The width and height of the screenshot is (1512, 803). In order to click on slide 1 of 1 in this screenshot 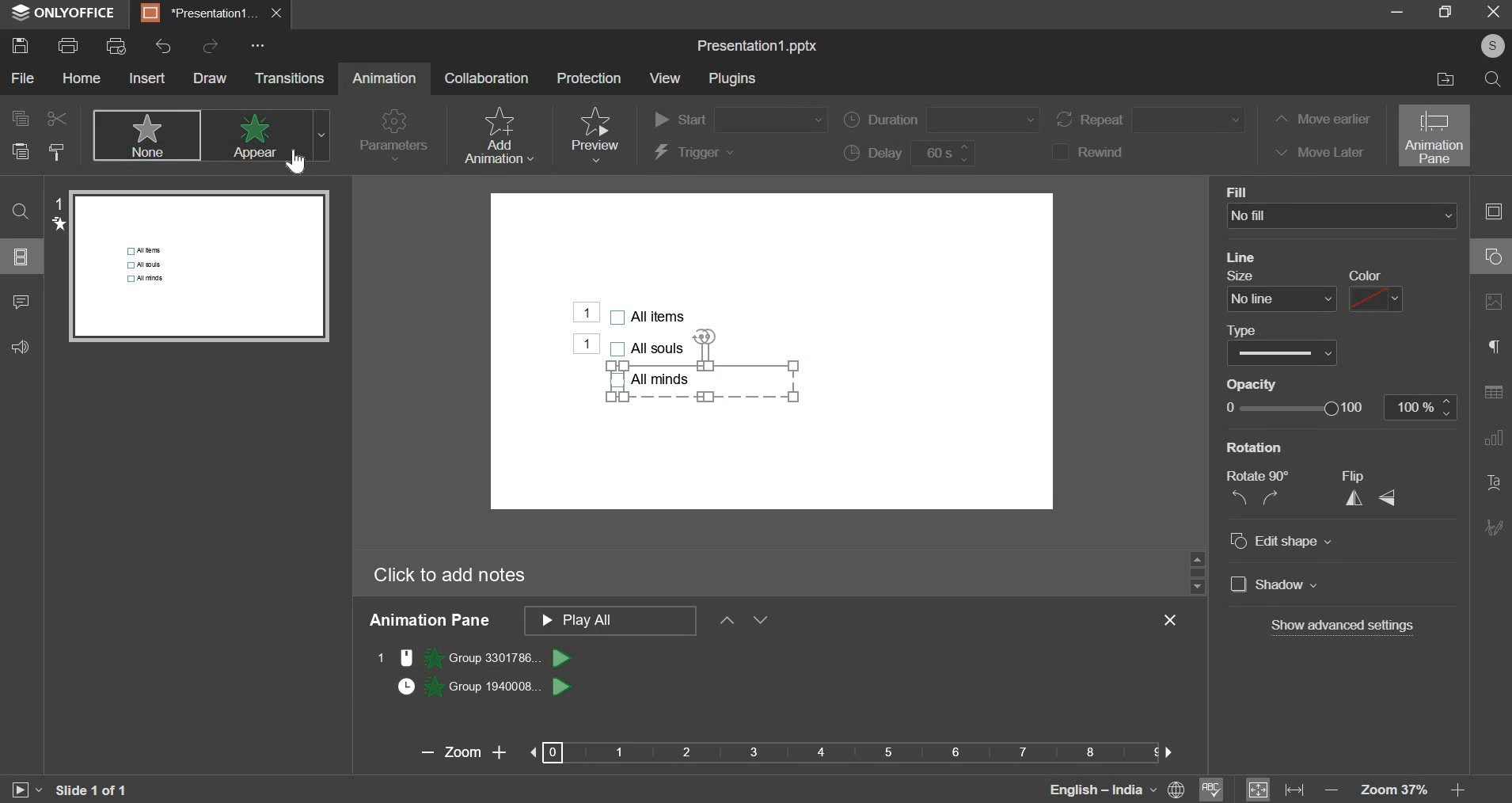, I will do `click(90, 790)`.